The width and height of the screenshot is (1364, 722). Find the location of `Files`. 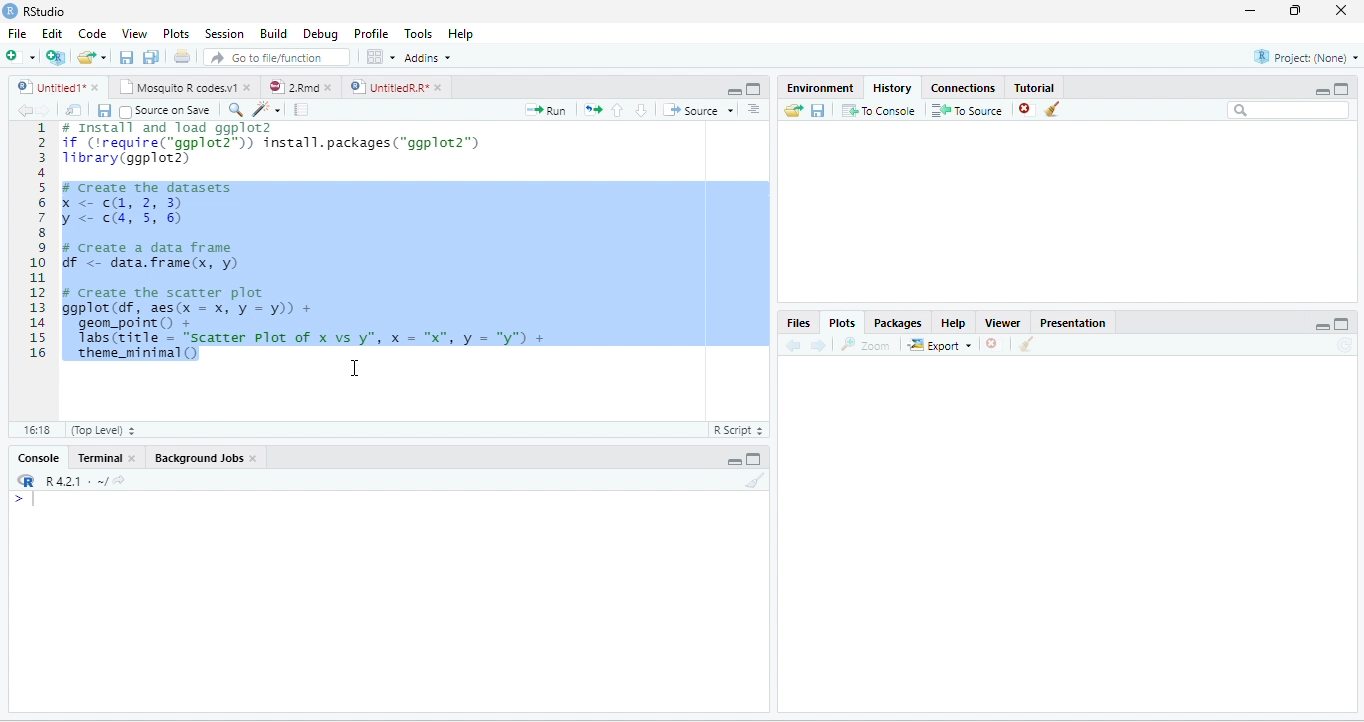

Files is located at coordinates (798, 322).